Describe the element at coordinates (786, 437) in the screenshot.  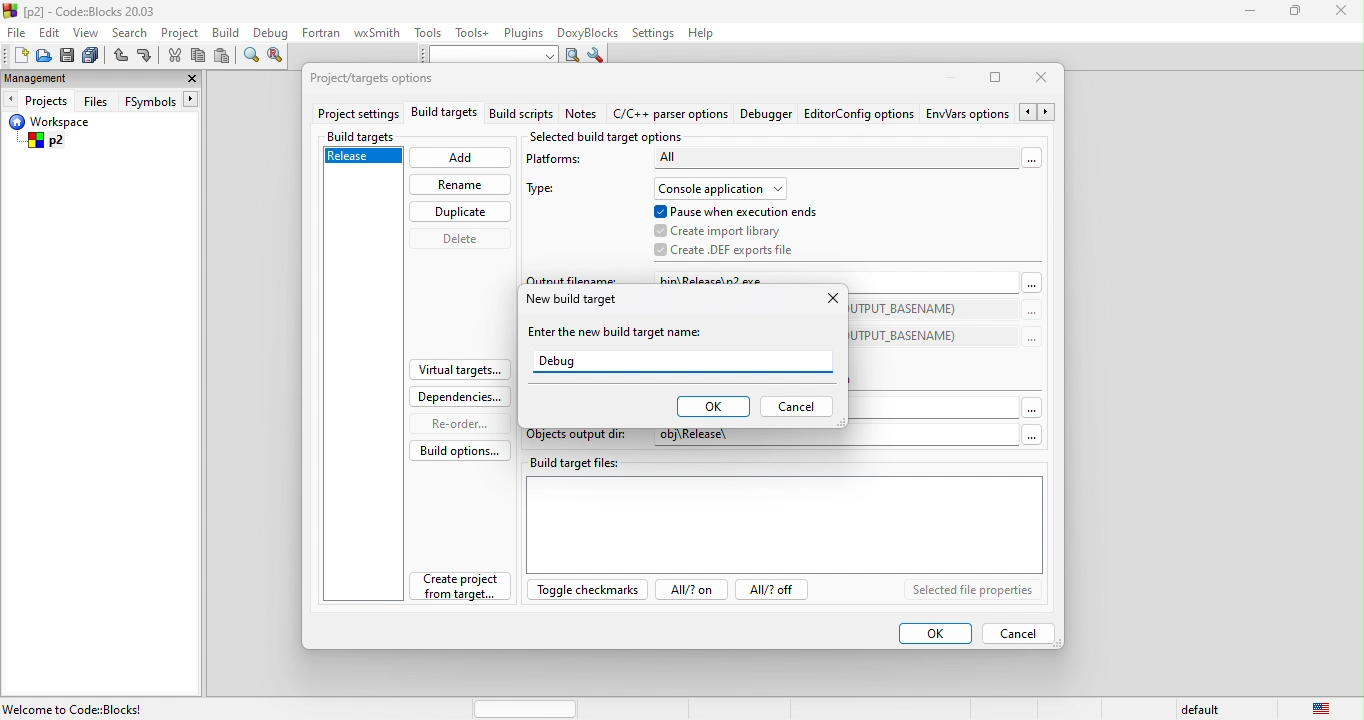
I see `objects output dir: obj\Release\` at that location.